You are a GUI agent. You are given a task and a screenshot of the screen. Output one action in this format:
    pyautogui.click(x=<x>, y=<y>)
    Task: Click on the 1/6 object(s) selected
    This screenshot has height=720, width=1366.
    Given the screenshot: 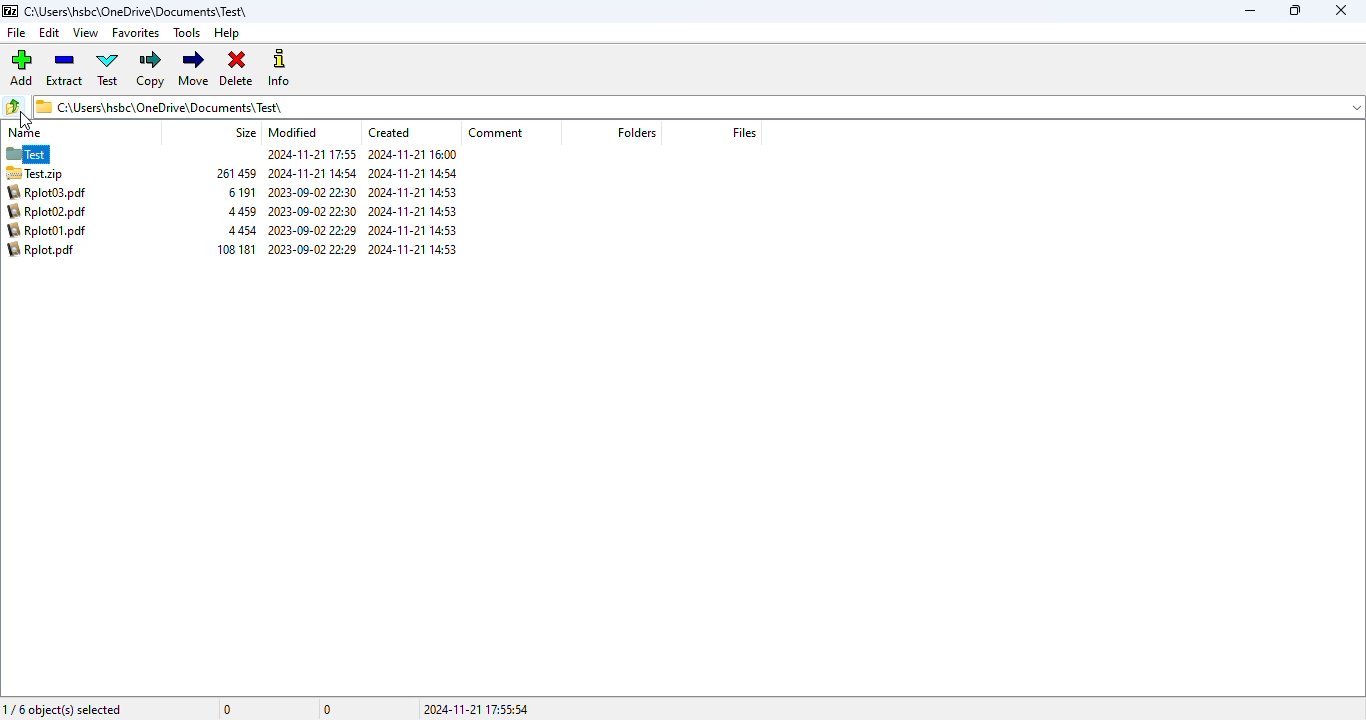 What is the action you would take?
    pyautogui.click(x=62, y=709)
    